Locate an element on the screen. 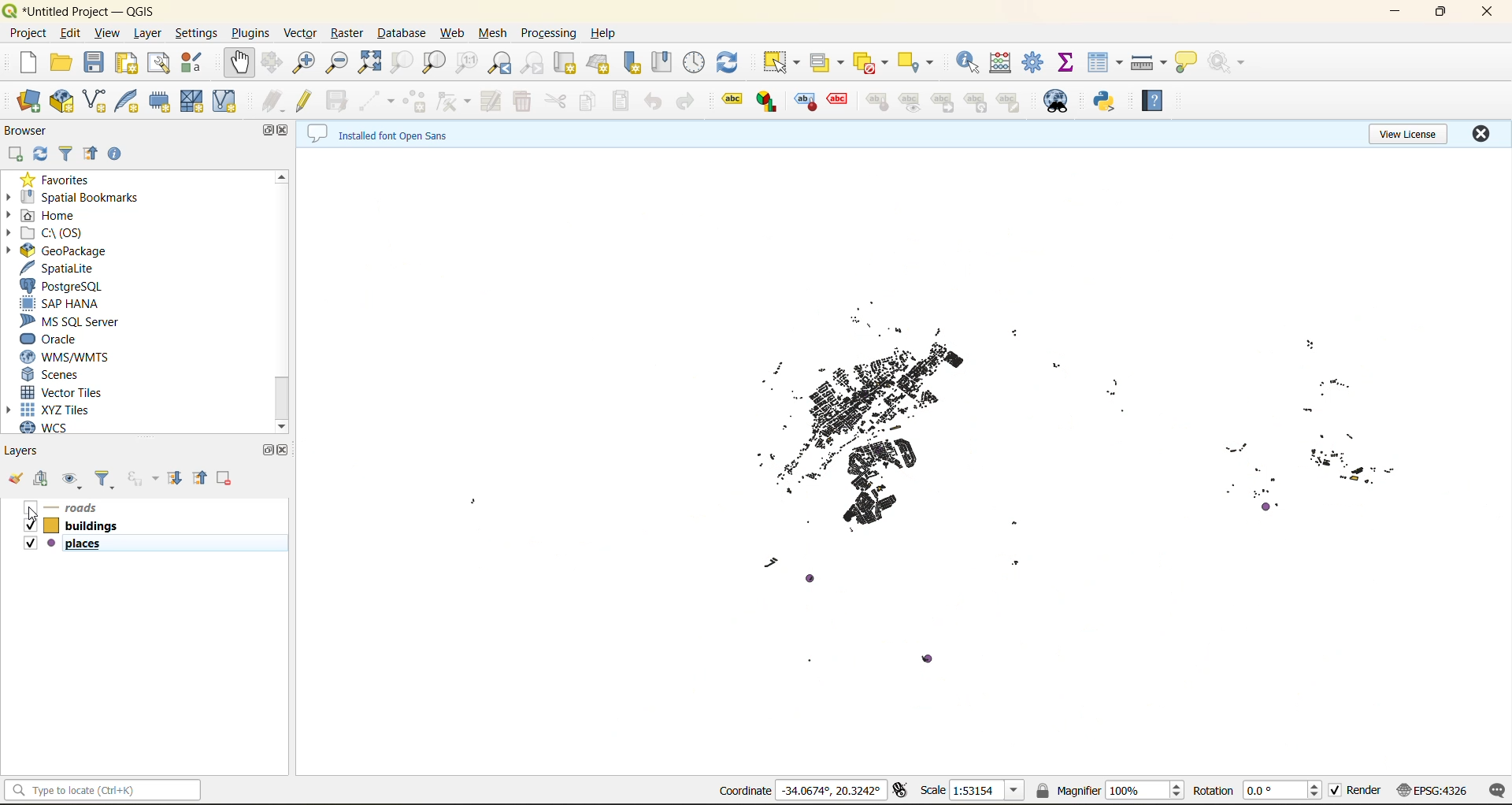 The image size is (1512, 805). toggle edits is located at coordinates (308, 102).